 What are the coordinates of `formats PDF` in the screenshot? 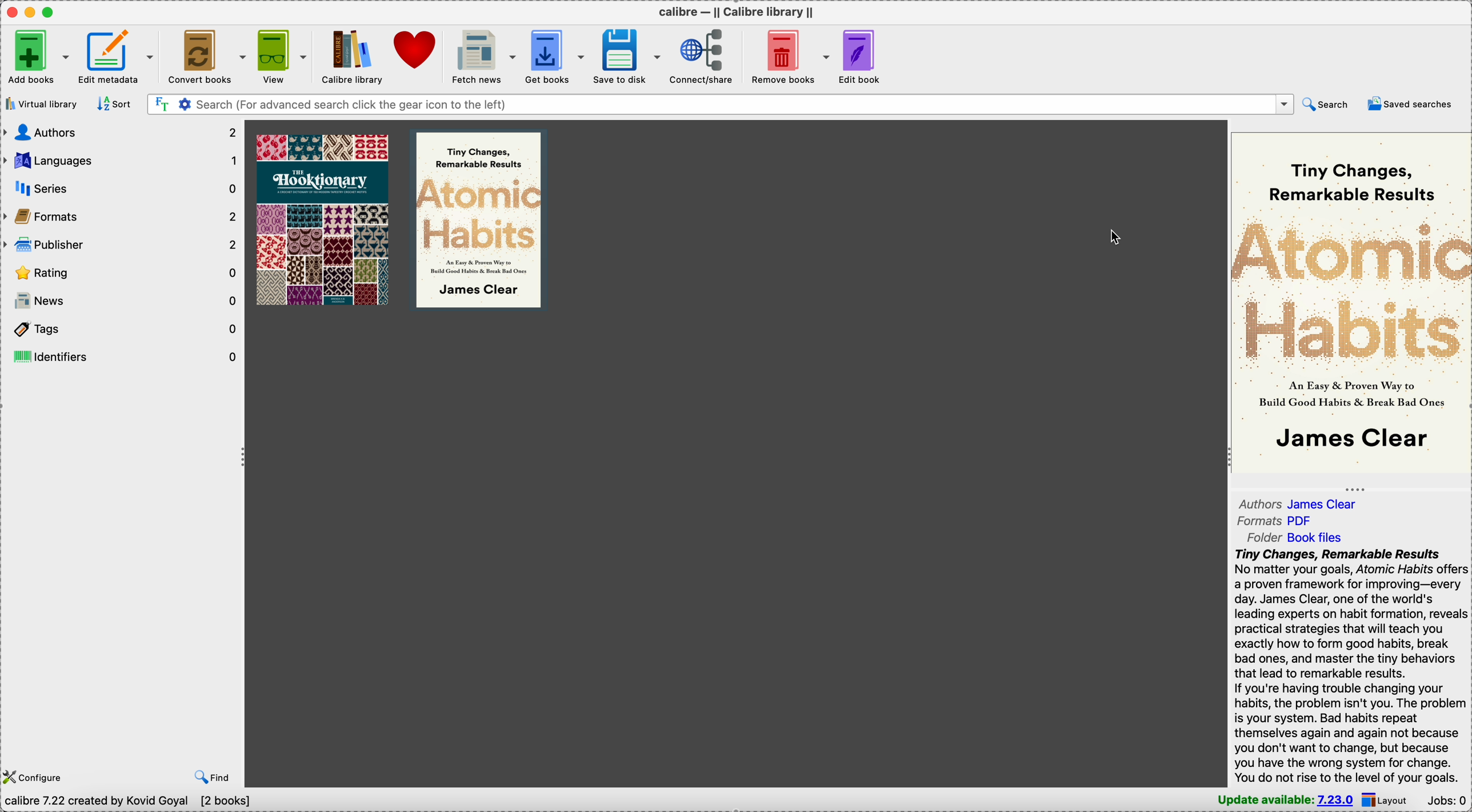 It's located at (1277, 519).